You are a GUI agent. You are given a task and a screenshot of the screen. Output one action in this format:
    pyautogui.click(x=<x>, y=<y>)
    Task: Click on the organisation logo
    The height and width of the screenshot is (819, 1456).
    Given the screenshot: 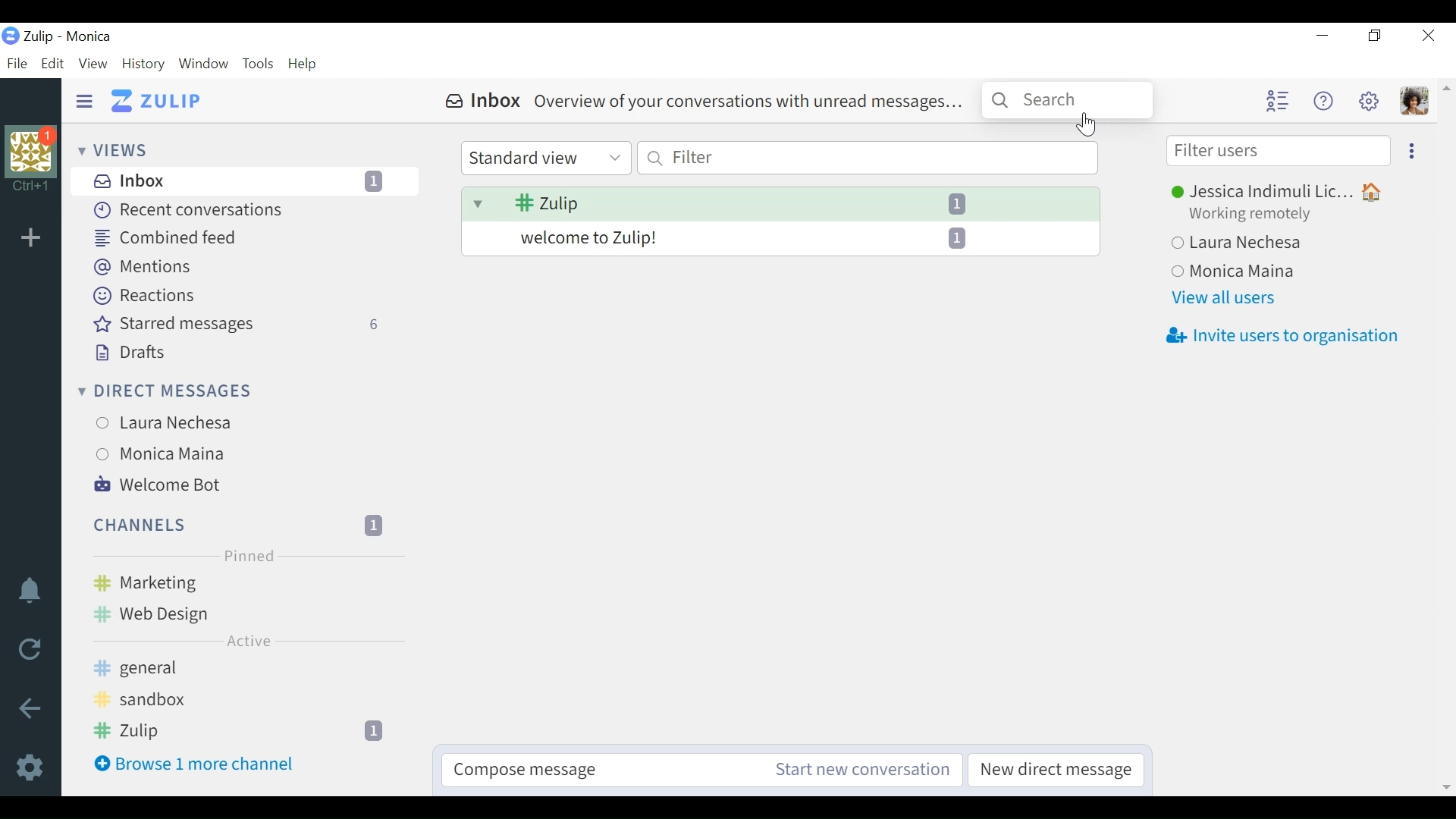 What is the action you would take?
    pyautogui.click(x=11, y=36)
    